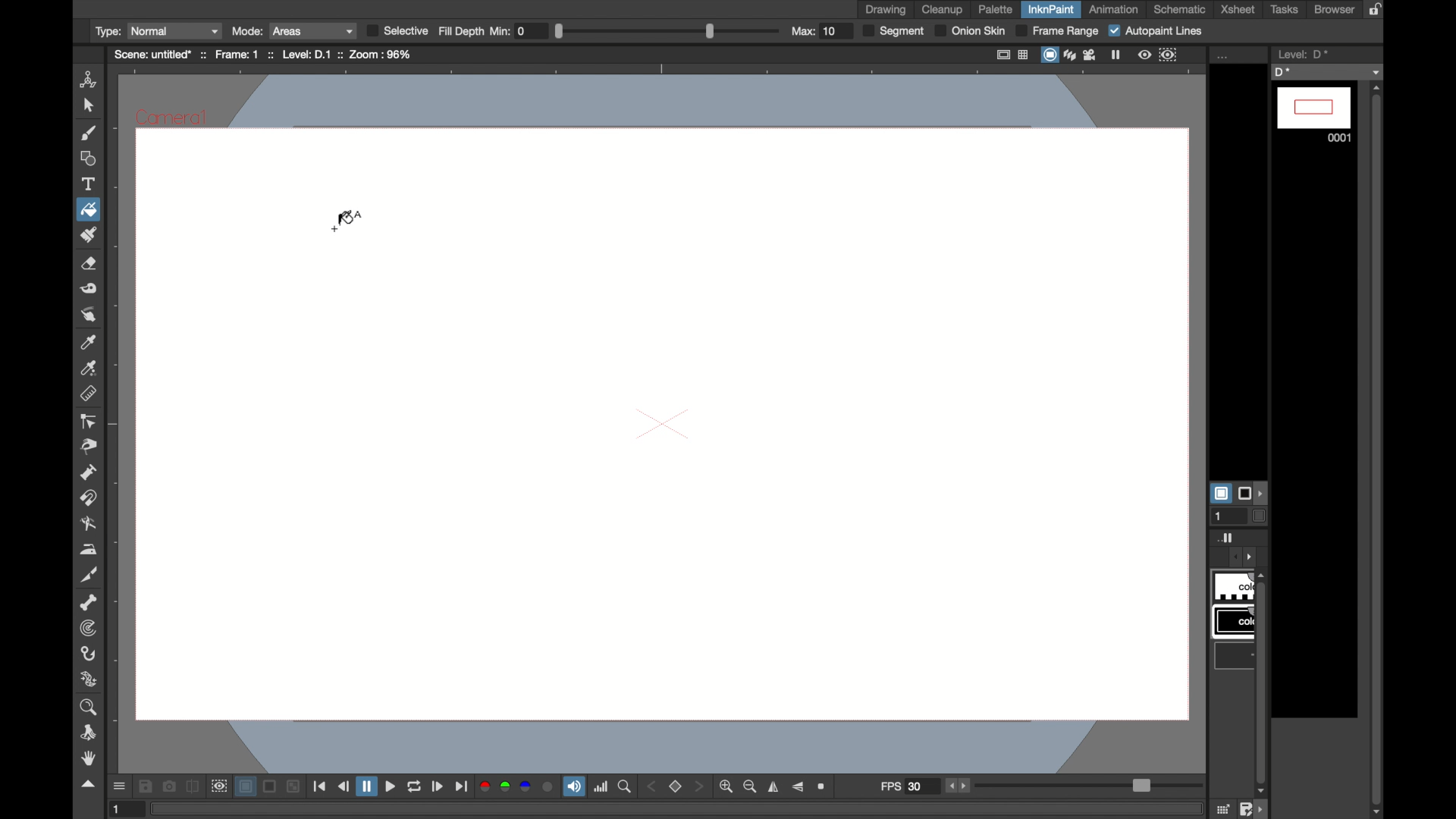  What do you see at coordinates (824, 787) in the screenshot?
I see `zoom` at bounding box center [824, 787].